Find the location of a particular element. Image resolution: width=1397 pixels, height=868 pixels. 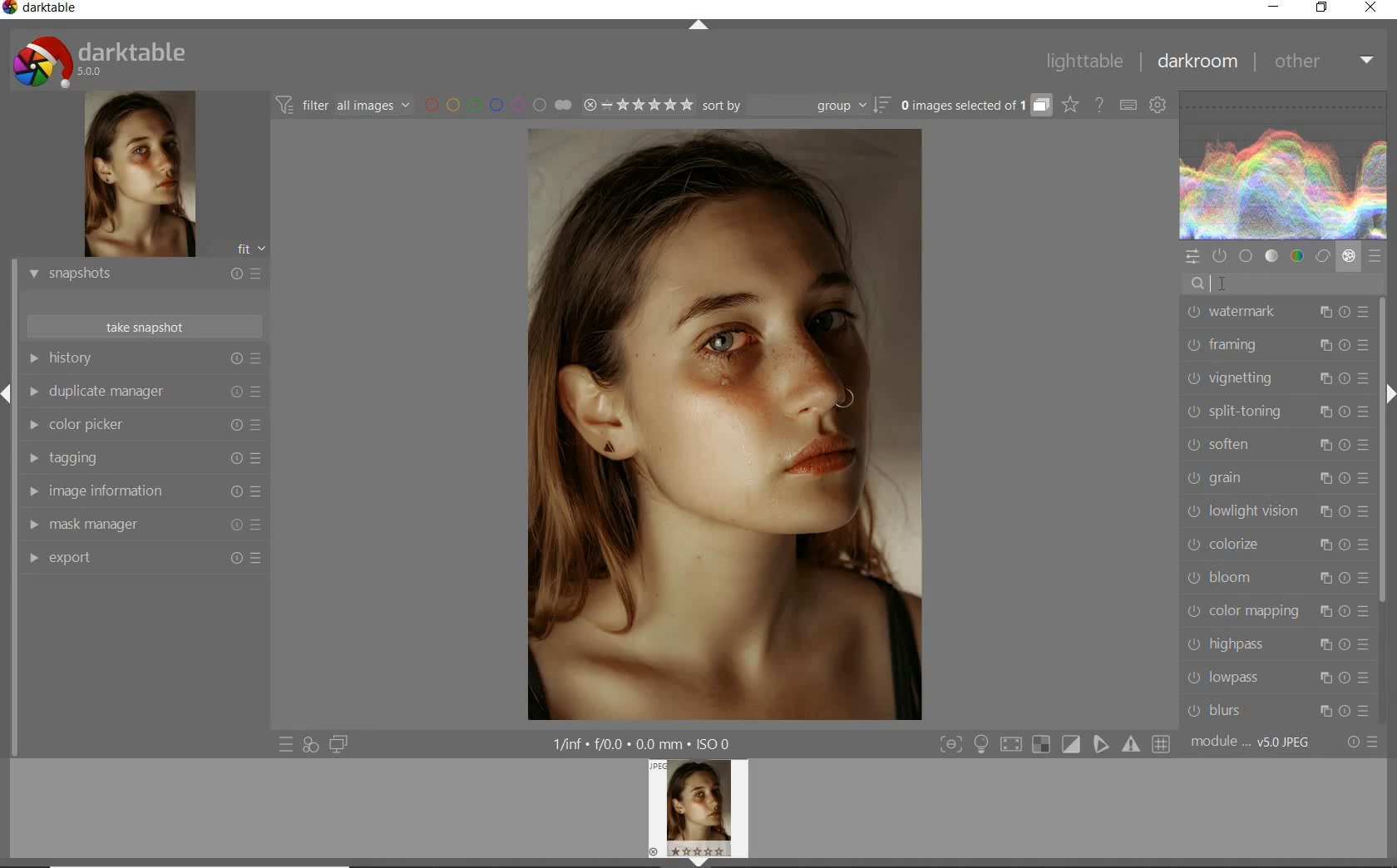

set keyboard shortcuts is located at coordinates (1127, 106).